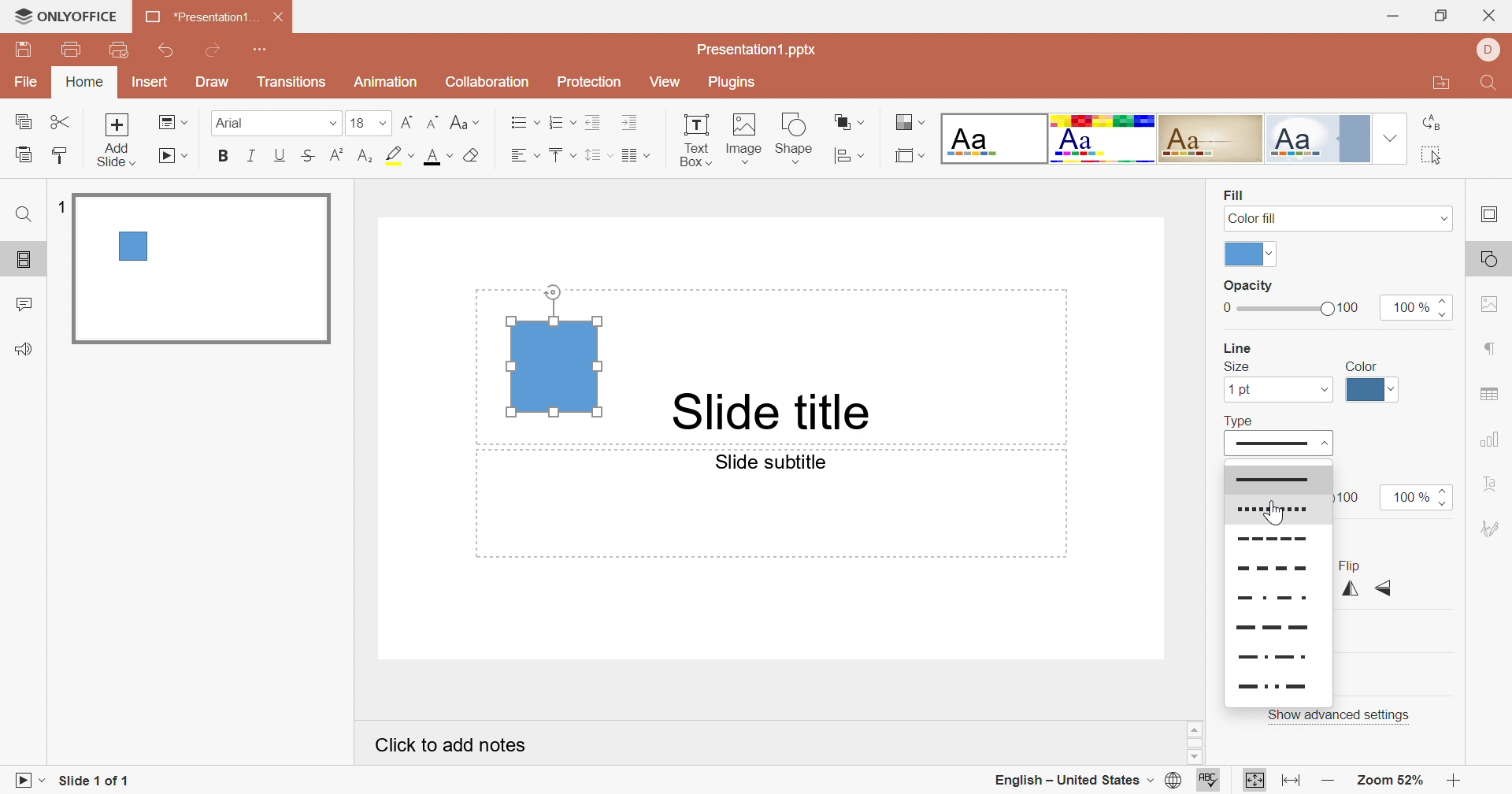  I want to click on Close, so click(275, 19).